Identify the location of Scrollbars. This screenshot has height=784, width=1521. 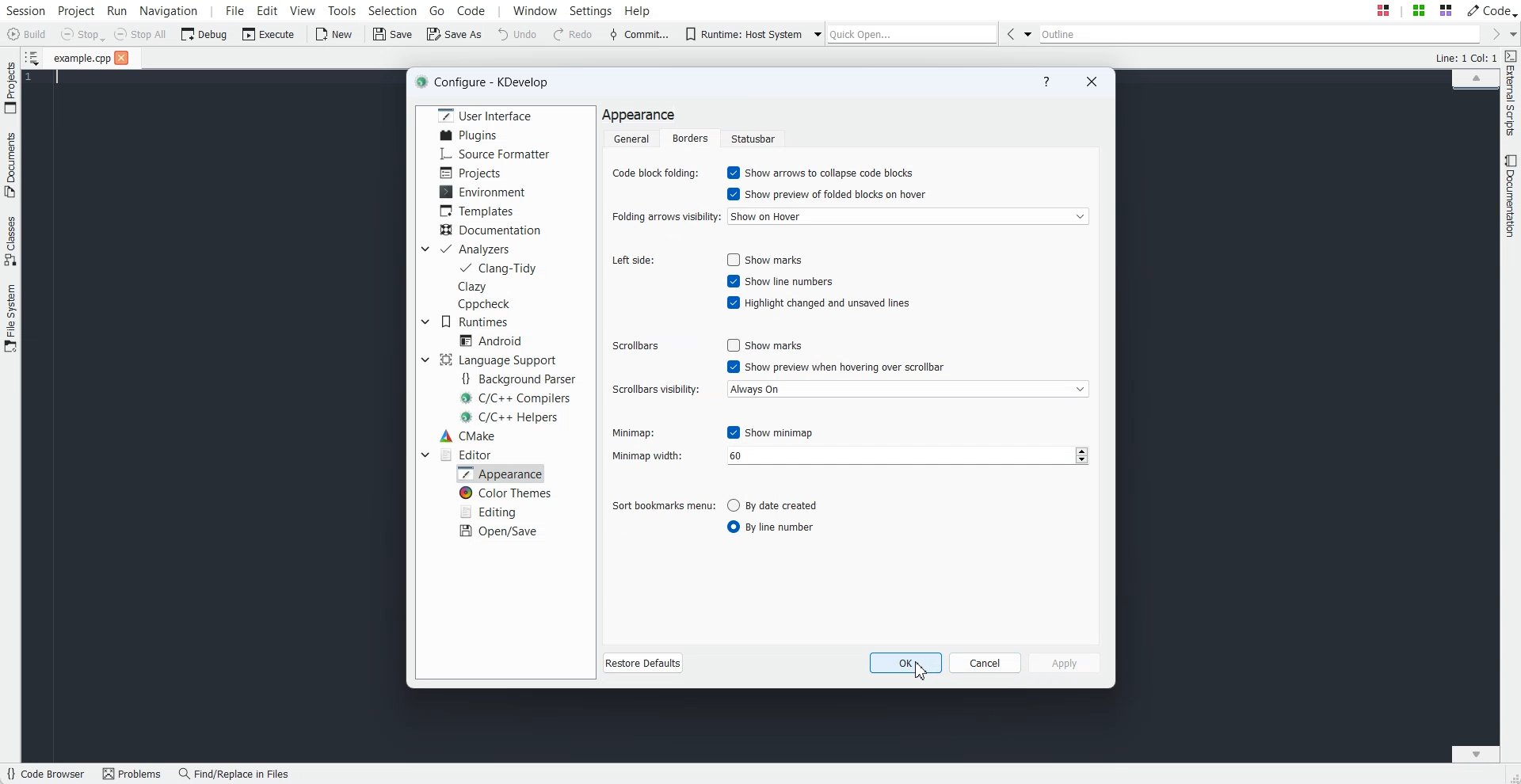
(635, 346).